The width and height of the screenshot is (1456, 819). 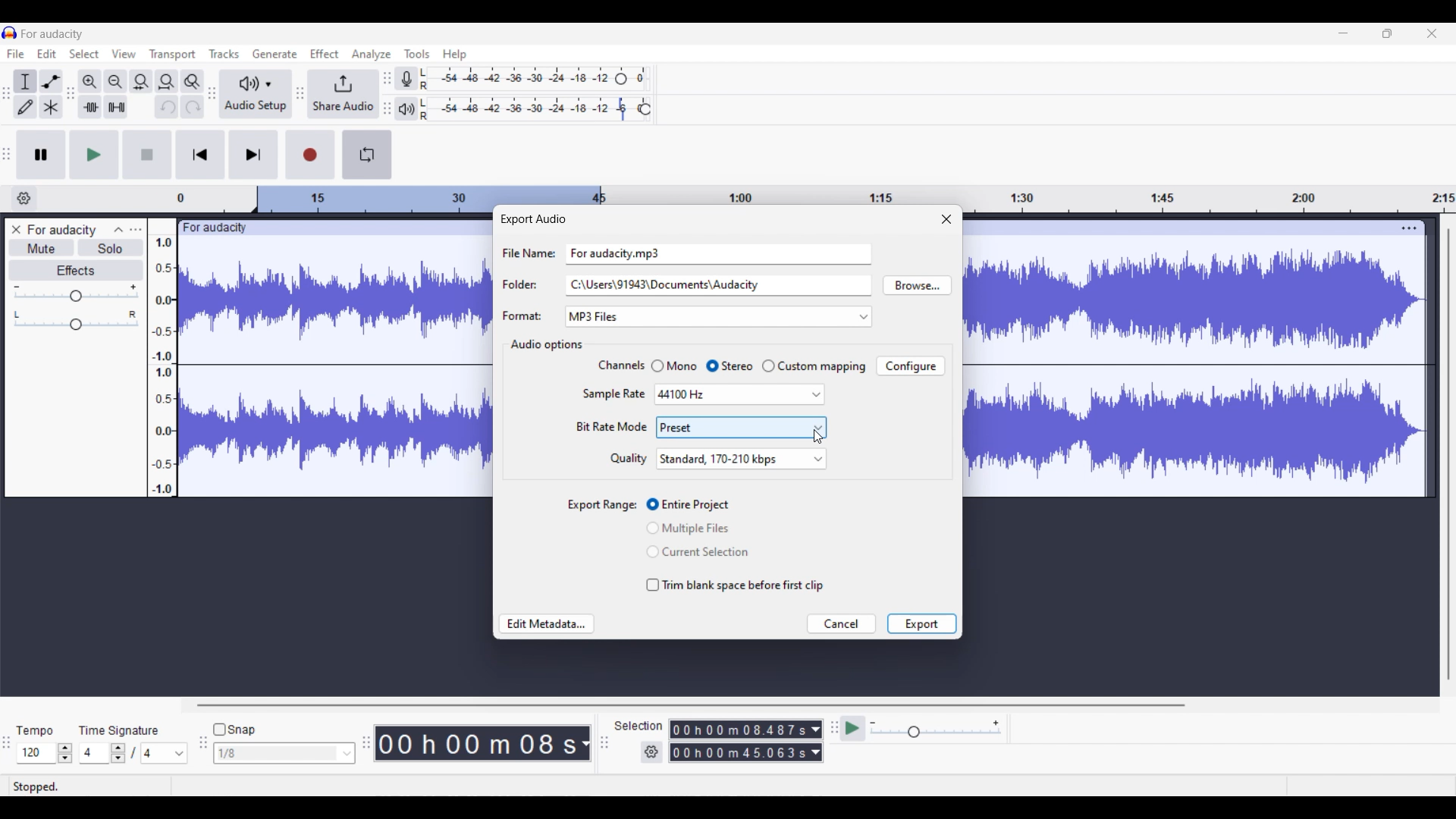 What do you see at coordinates (284, 753) in the screenshot?
I see `Snap options` at bounding box center [284, 753].